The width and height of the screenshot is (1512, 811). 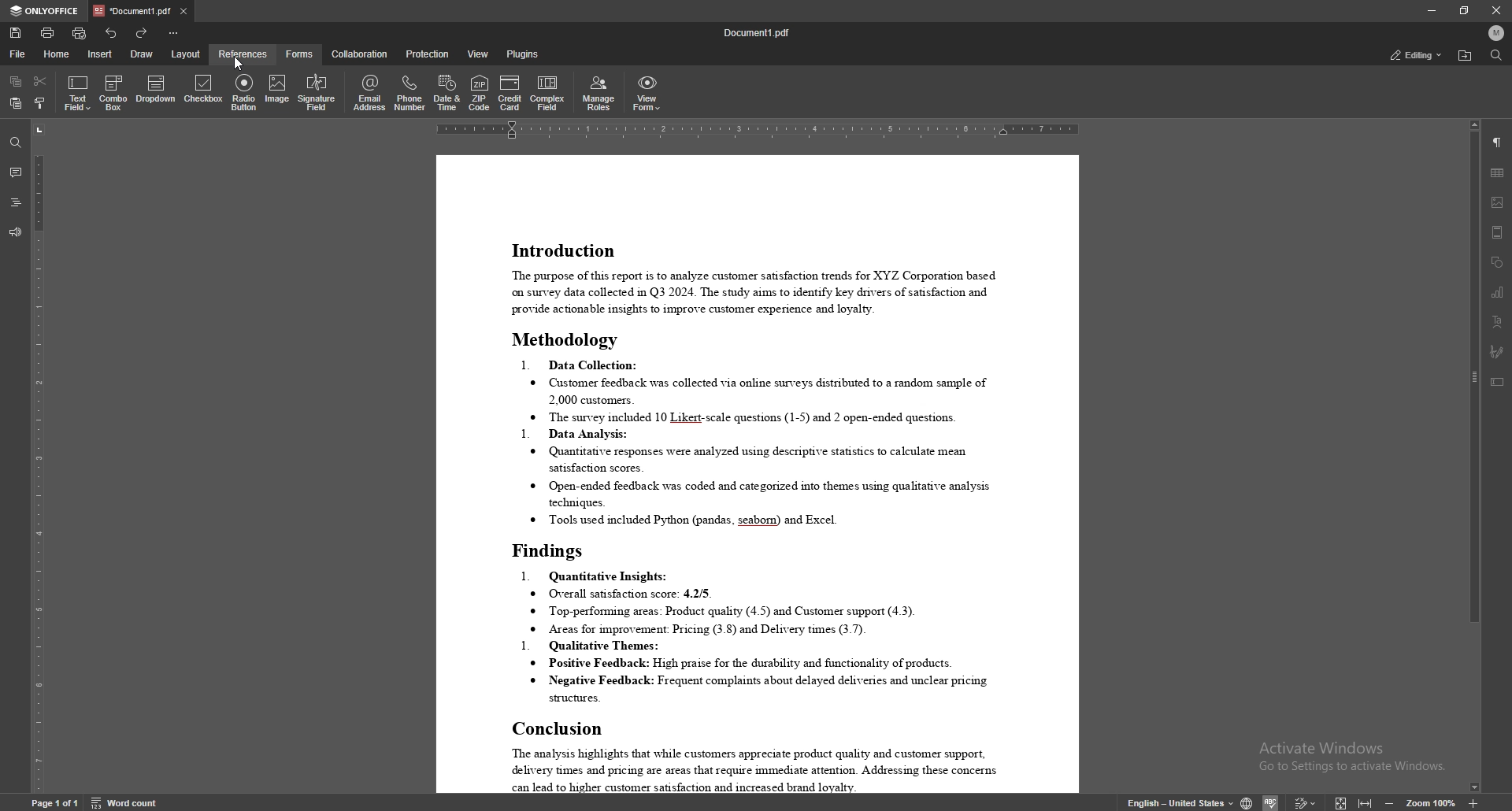 What do you see at coordinates (57, 802) in the screenshot?
I see `Page 1 0f 1` at bounding box center [57, 802].